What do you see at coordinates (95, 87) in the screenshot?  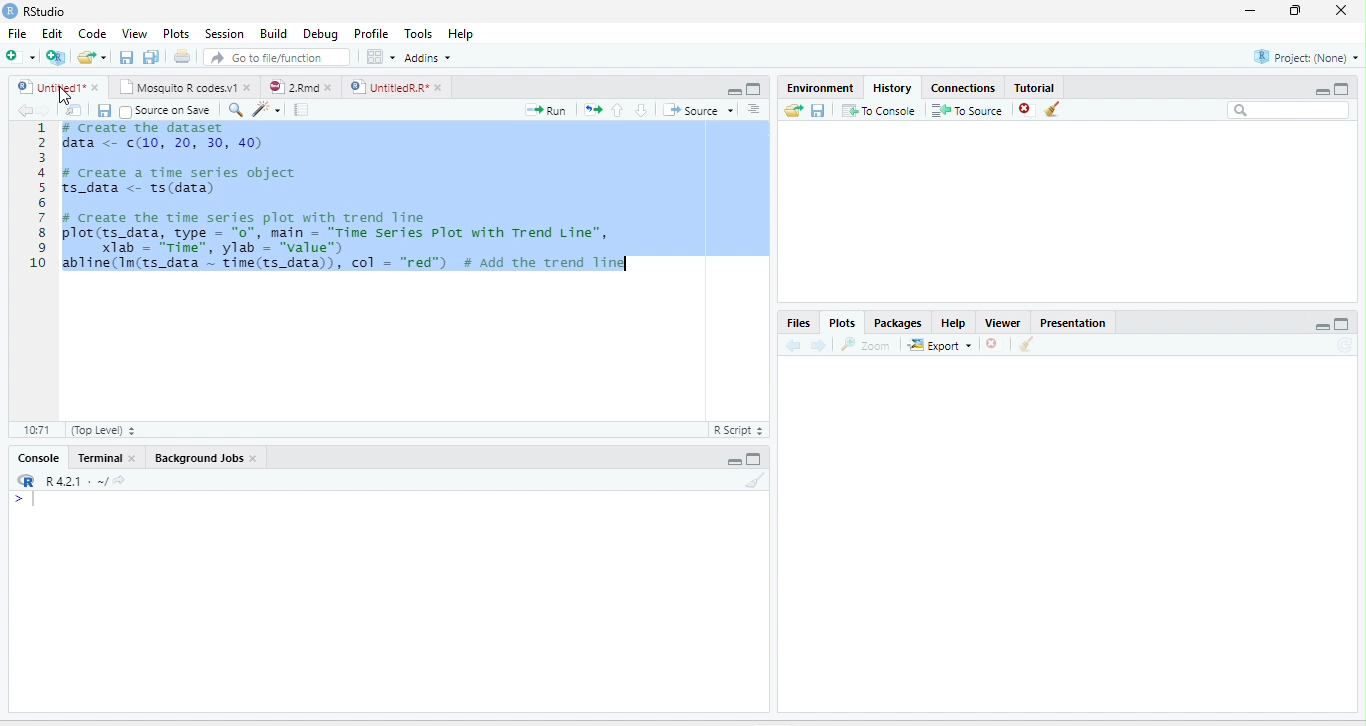 I see `close` at bounding box center [95, 87].